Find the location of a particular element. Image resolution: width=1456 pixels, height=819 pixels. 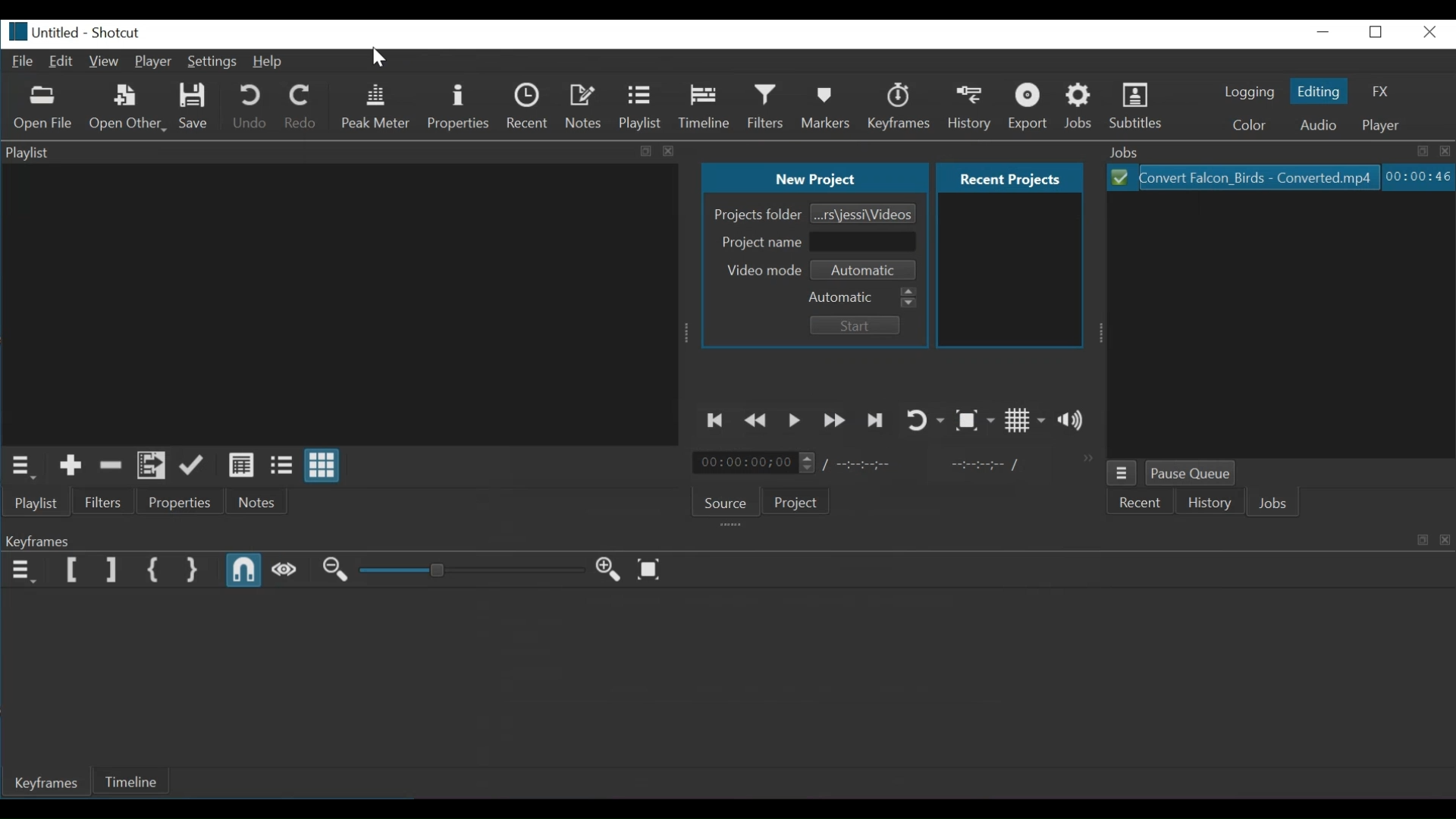

Recent is located at coordinates (529, 107).